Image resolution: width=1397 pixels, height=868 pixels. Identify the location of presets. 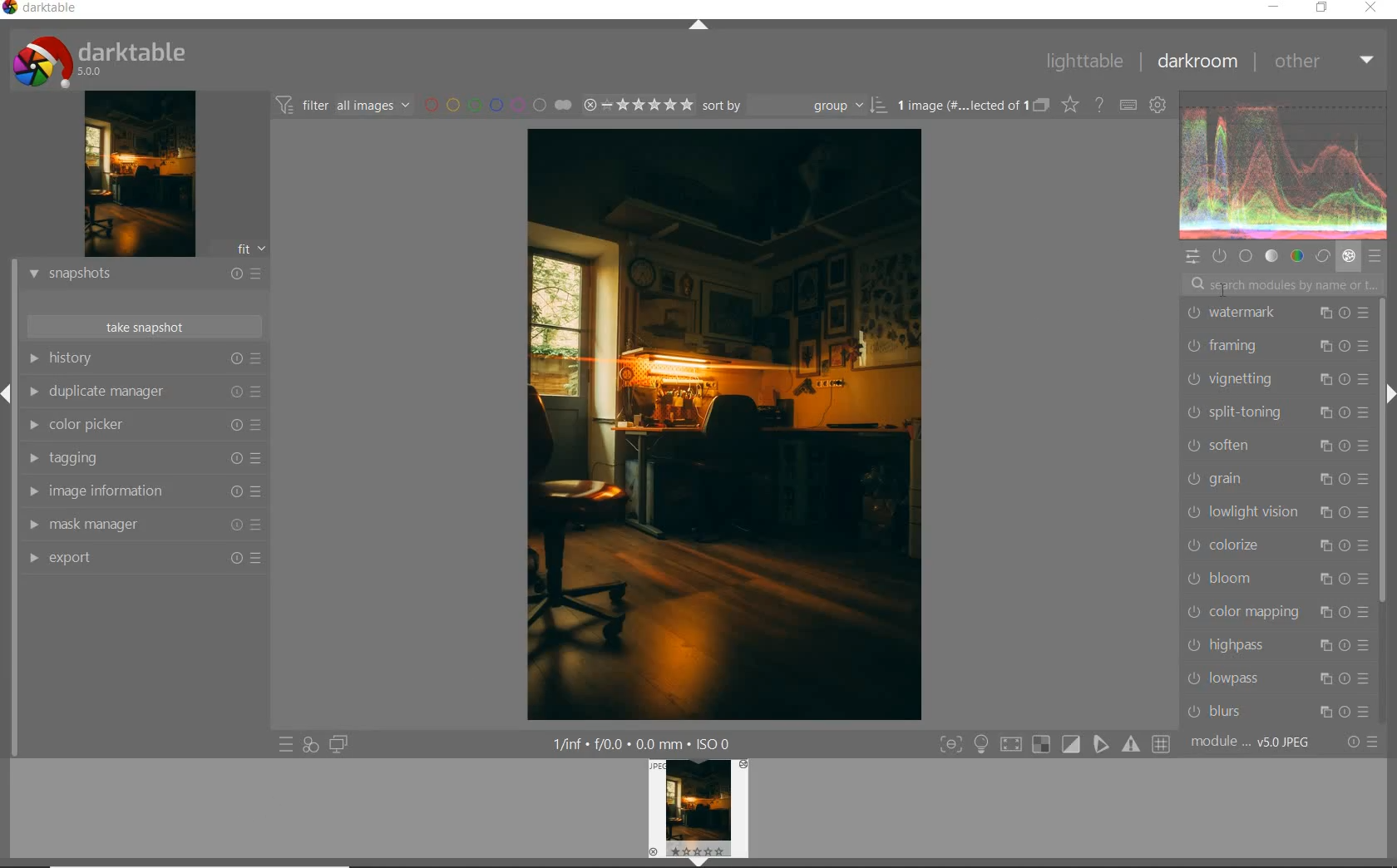
(1375, 257).